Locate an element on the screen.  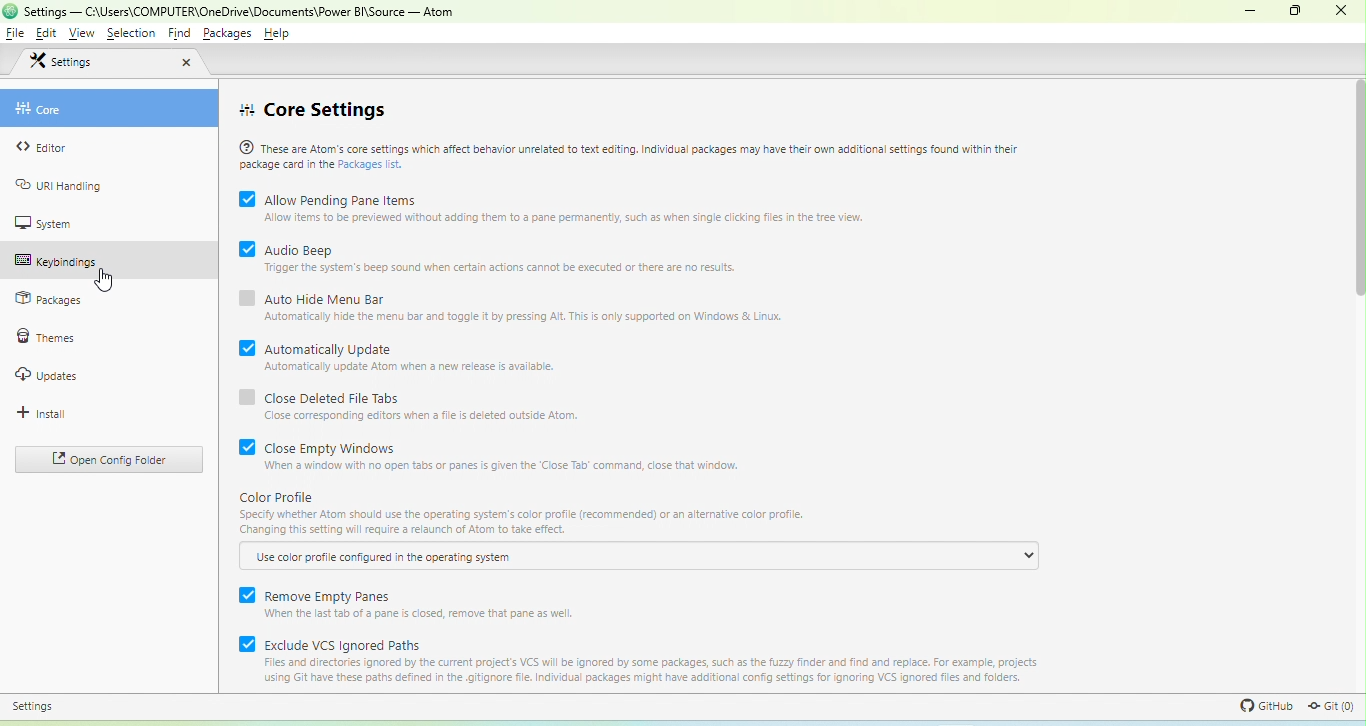
remove empty panes is located at coordinates (316, 593).